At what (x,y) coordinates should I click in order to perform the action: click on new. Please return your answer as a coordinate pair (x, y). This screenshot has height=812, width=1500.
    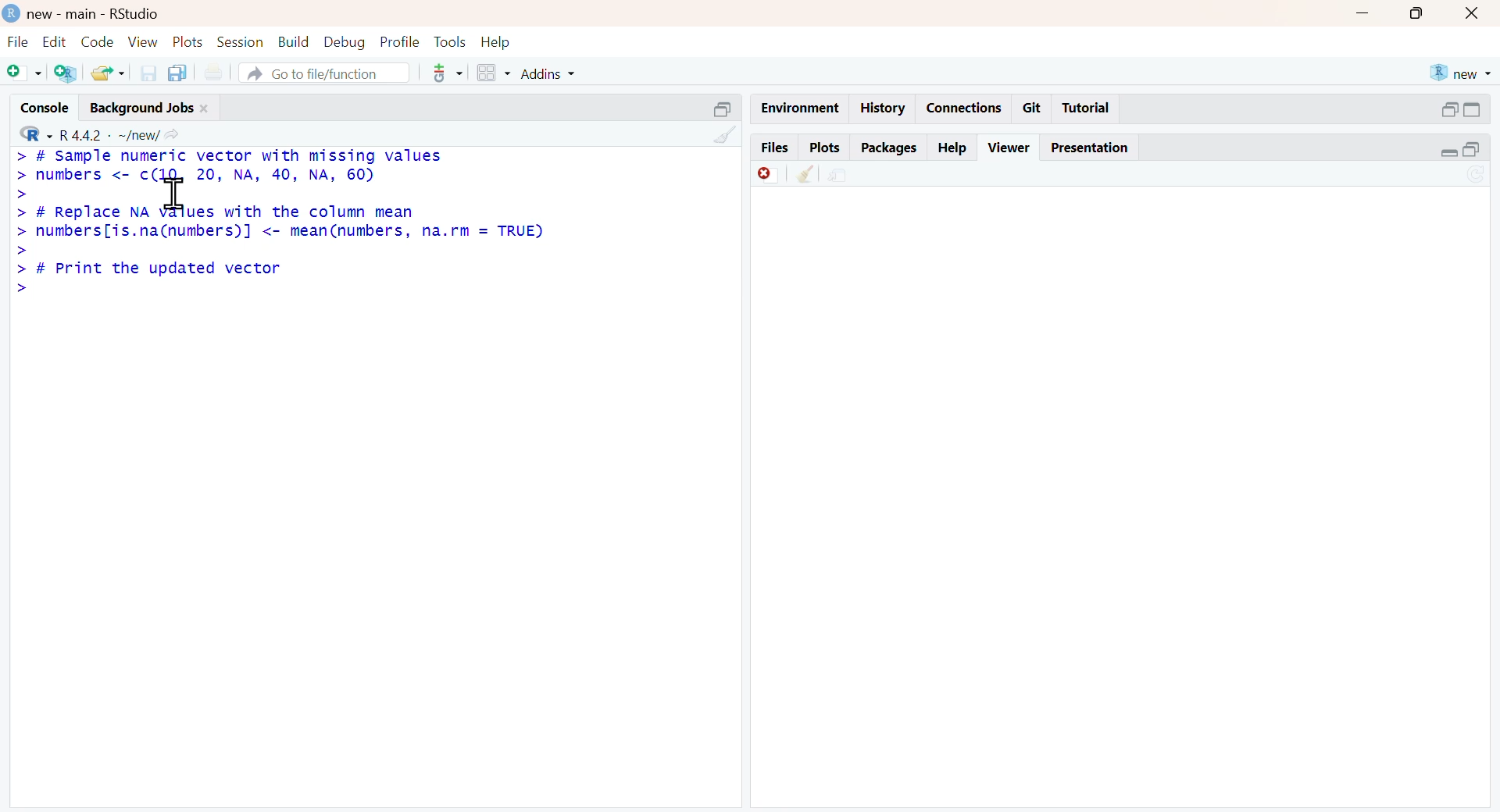
    Looking at the image, I should click on (1462, 74).